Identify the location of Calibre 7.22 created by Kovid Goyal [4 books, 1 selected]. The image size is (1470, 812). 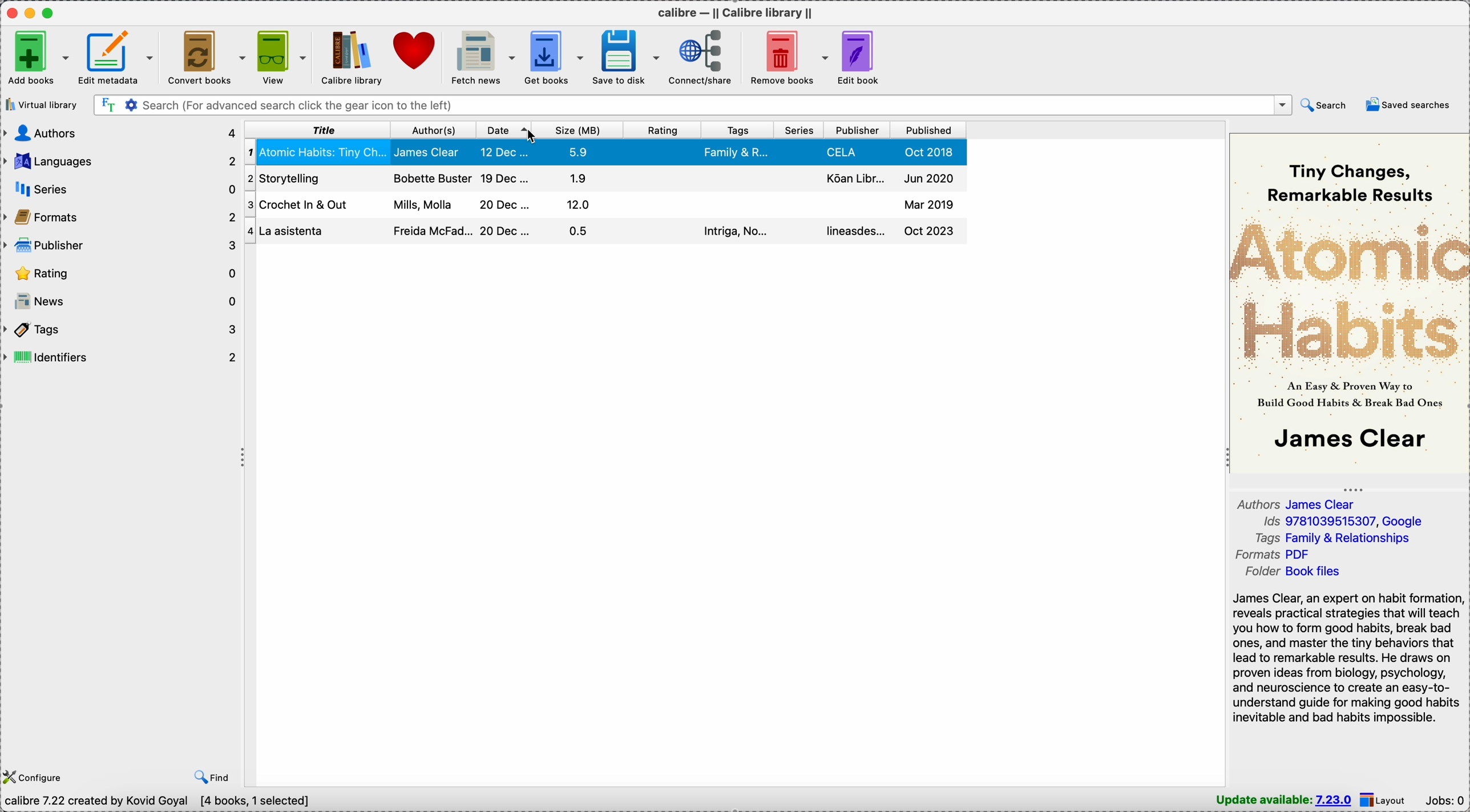
(161, 802).